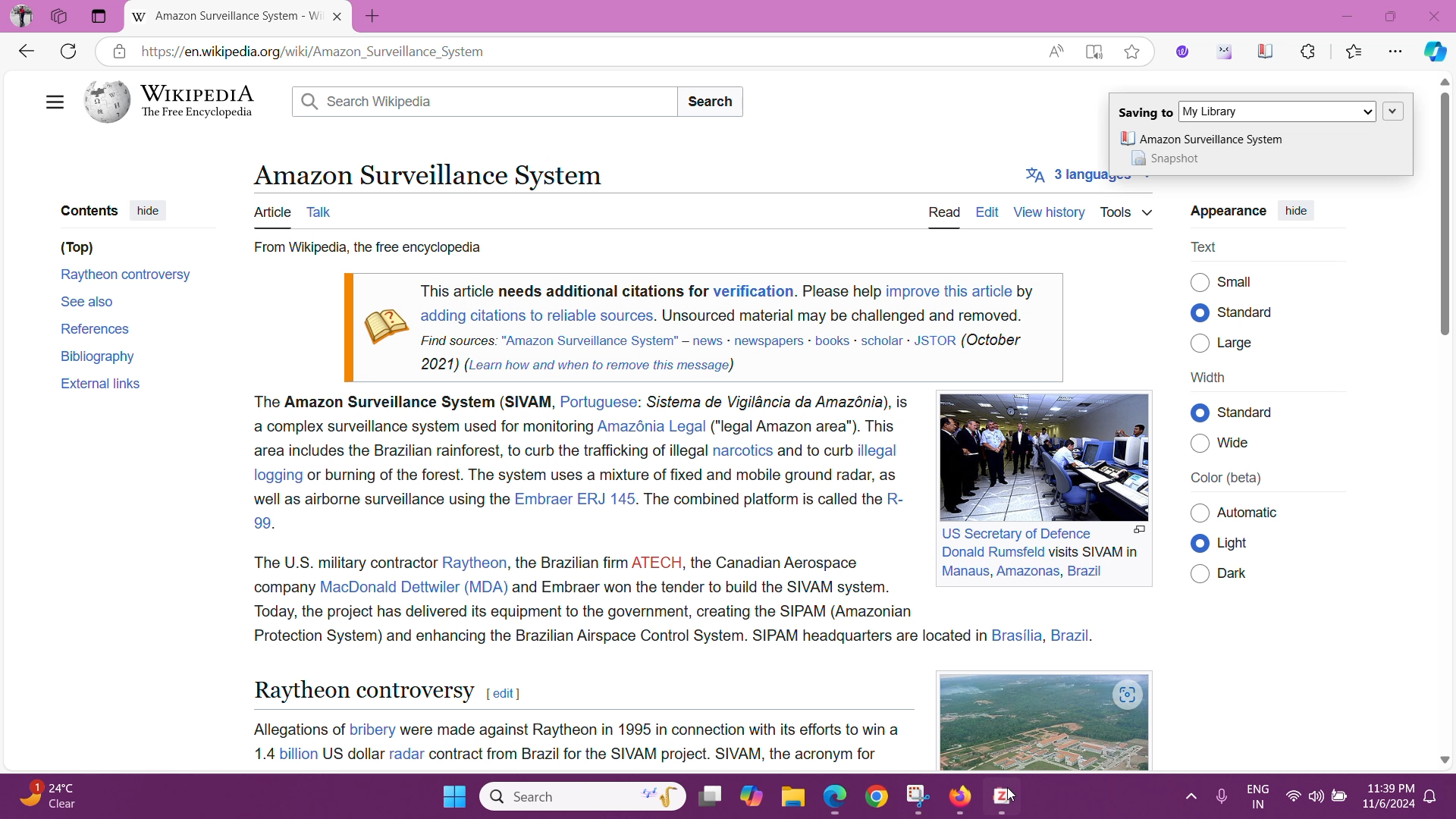  What do you see at coordinates (384, 321) in the screenshot?
I see `book icon` at bounding box center [384, 321].